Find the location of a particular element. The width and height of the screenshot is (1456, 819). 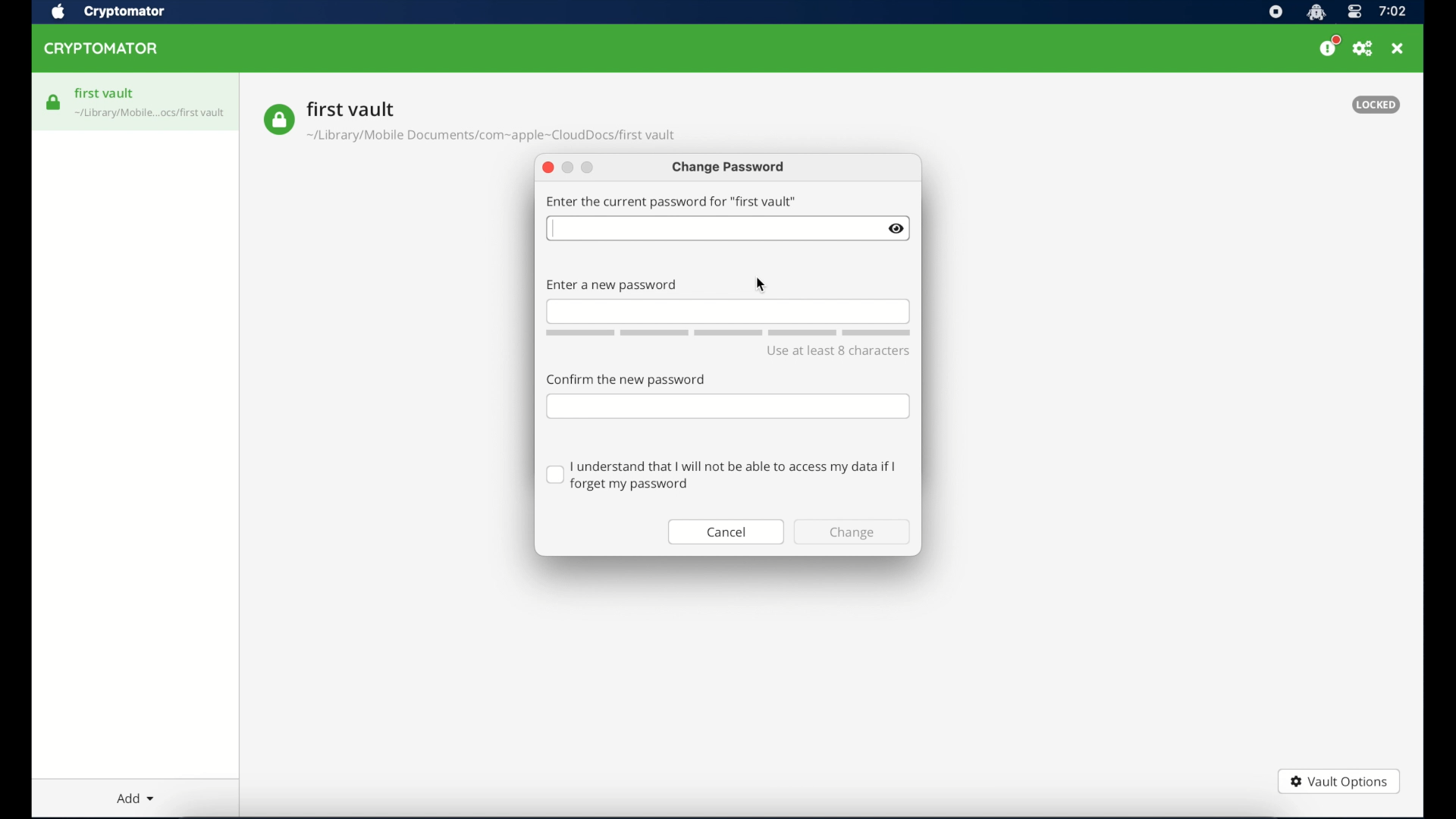

add dropdown is located at coordinates (136, 798).